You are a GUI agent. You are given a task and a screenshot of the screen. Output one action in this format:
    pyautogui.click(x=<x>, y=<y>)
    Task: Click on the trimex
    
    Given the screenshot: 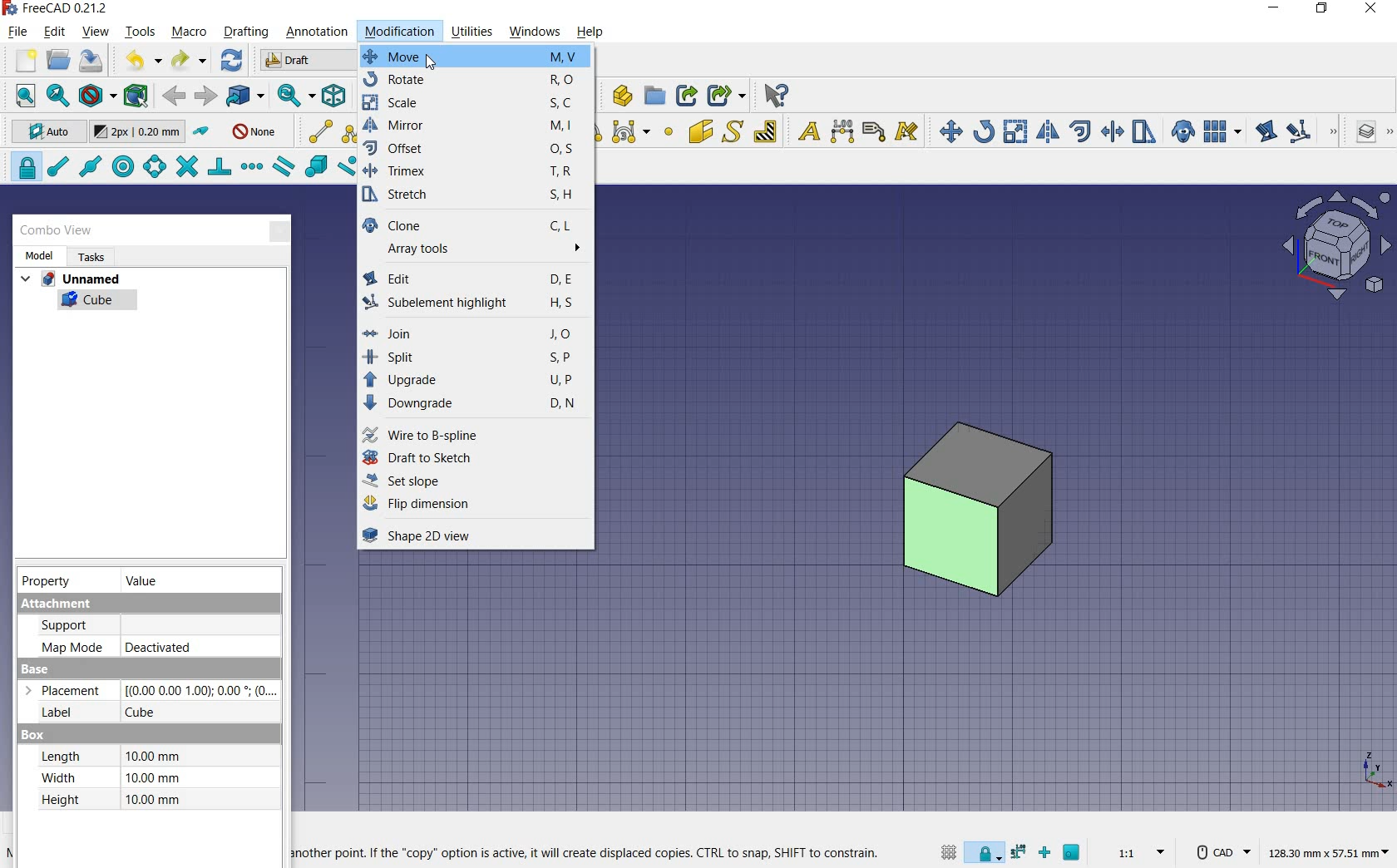 What is the action you would take?
    pyautogui.click(x=1112, y=131)
    